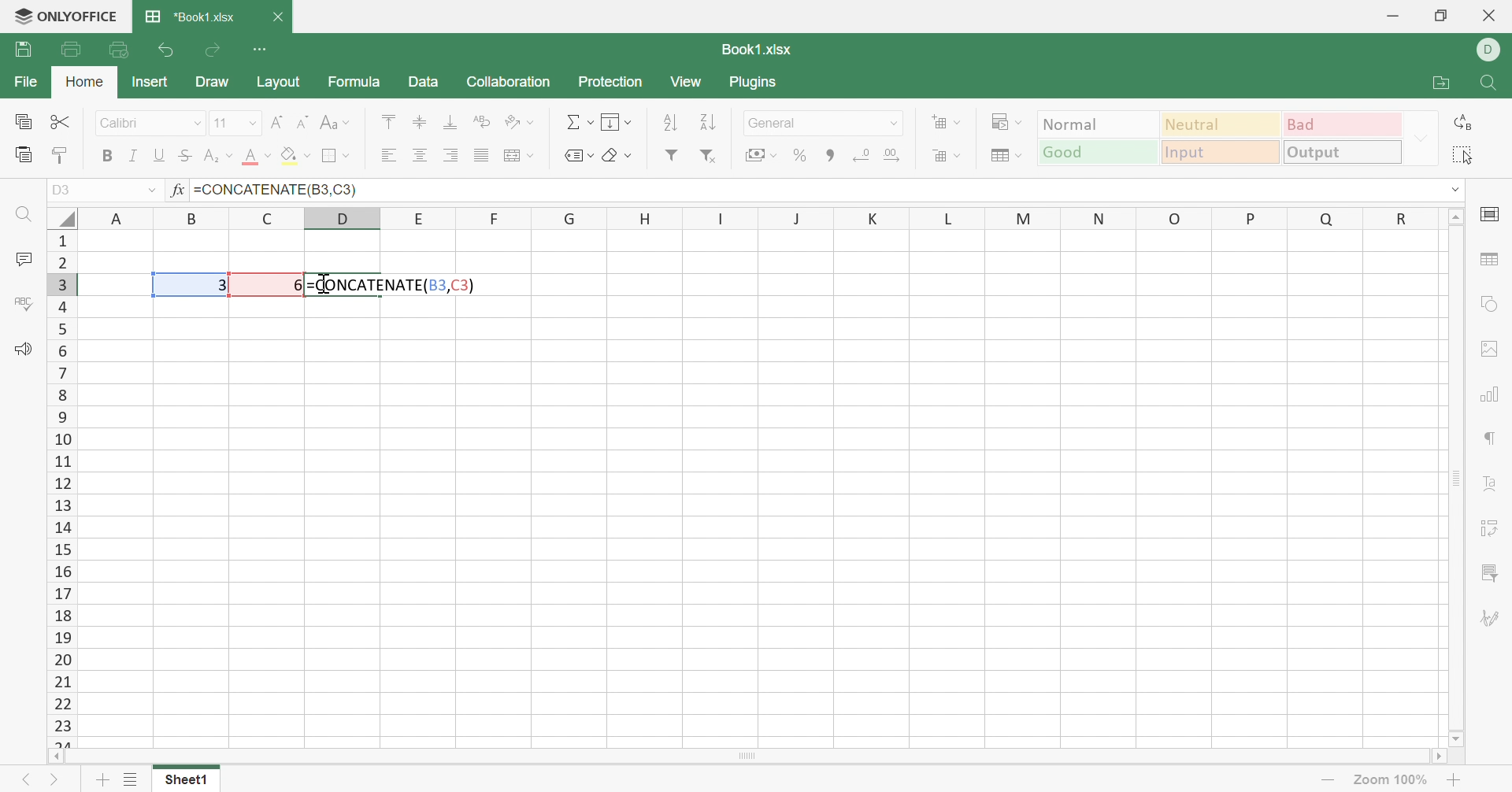  What do you see at coordinates (1493, 396) in the screenshot?
I see `Chart settings` at bounding box center [1493, 396].